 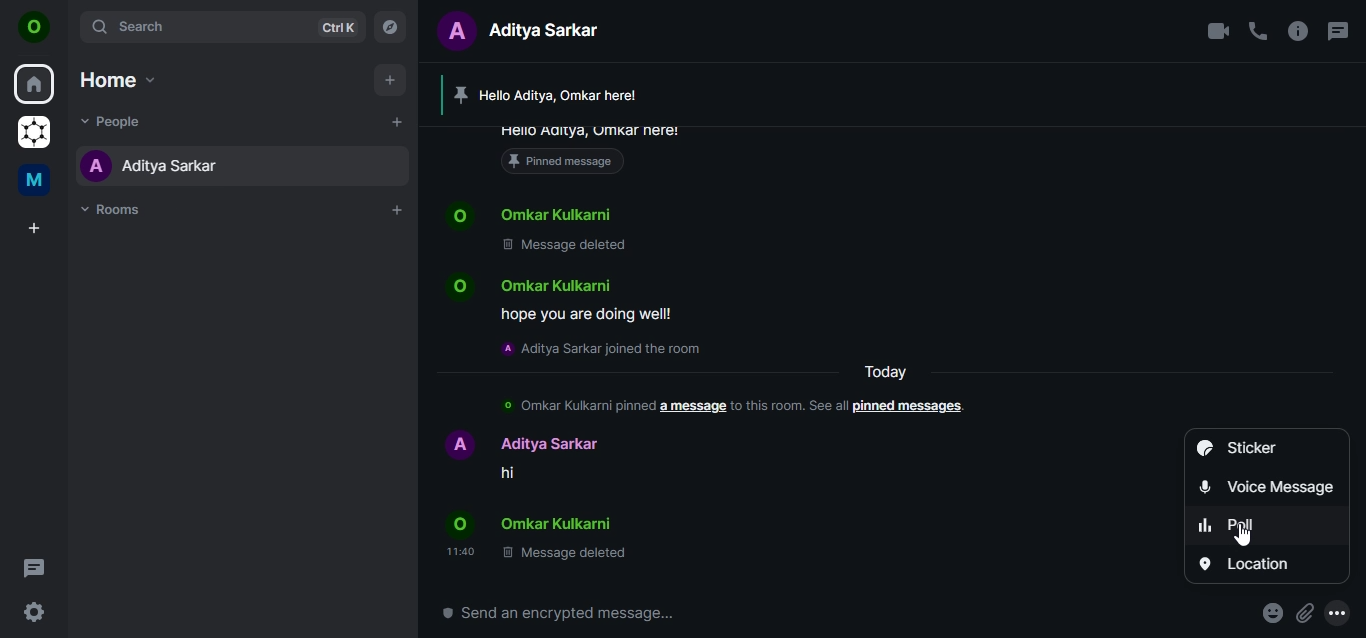 What do you see at coordinates (398, 210) in the screenshot?
I see `add room` at bounding box center [398, 210].